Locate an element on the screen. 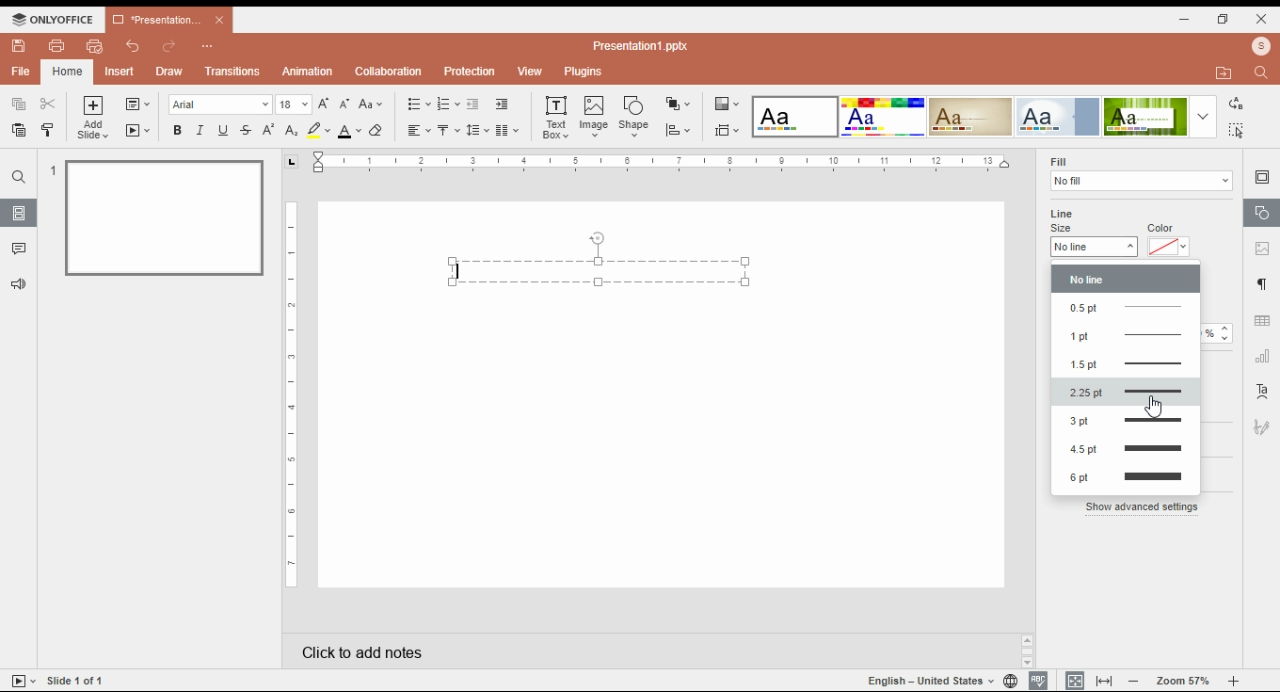 The height and width of the screenshot is (692, 1280). change case is located at coordinates (370, 104).